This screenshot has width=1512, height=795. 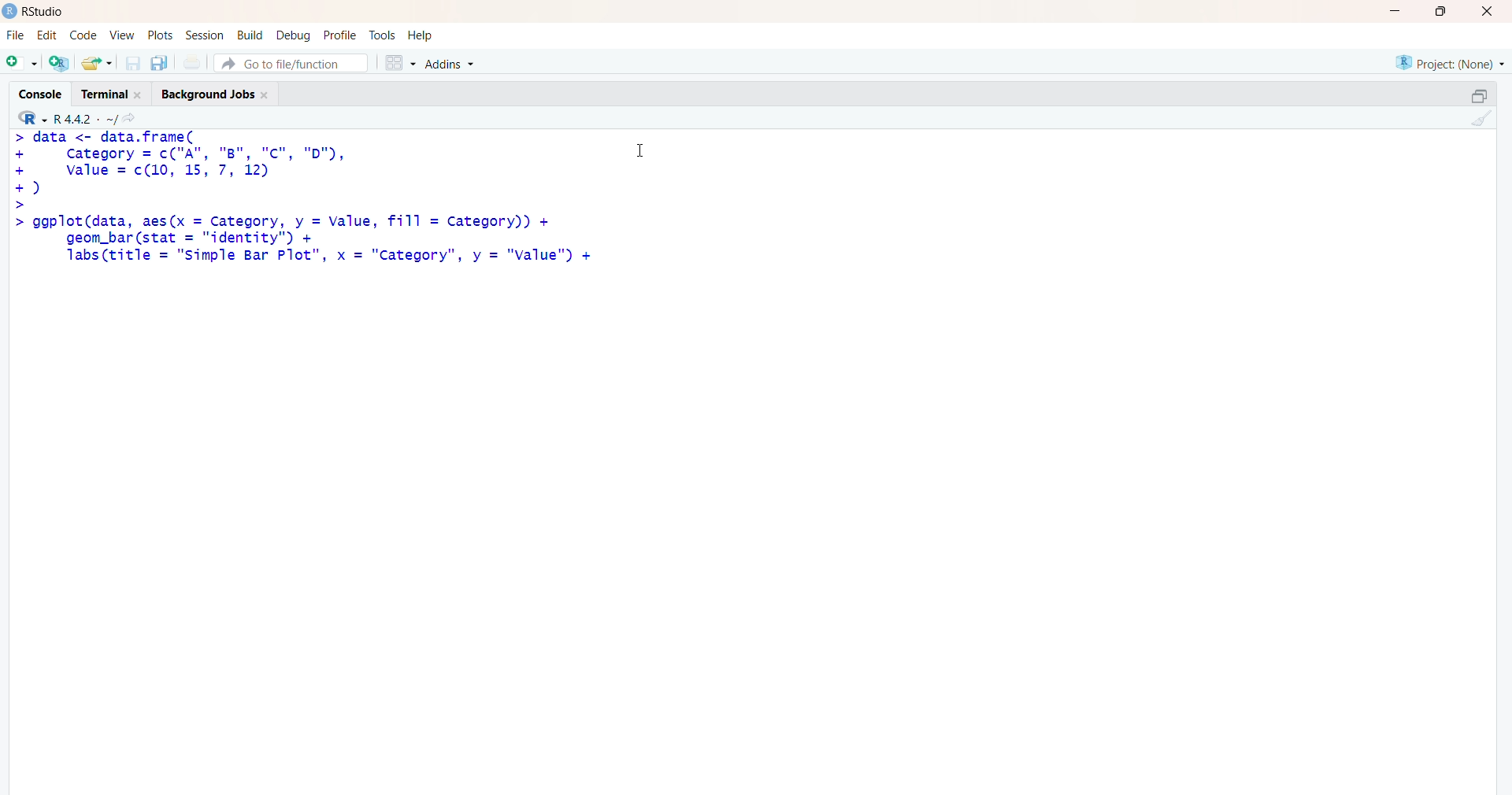 I want to click on View, so click(x=123, y=35).